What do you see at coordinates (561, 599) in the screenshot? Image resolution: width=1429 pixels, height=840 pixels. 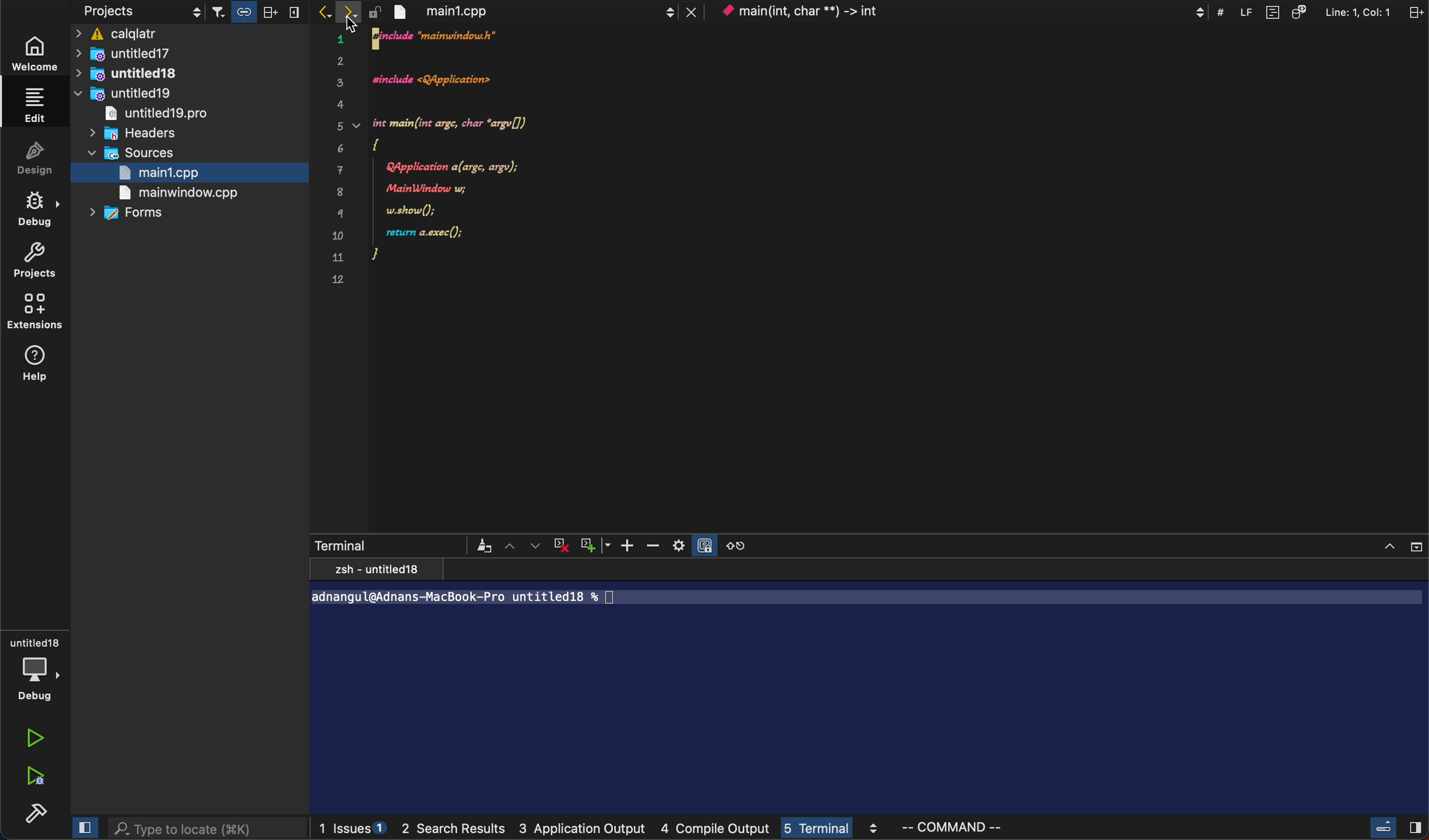 I see `path` at bounding box center [561, 599].